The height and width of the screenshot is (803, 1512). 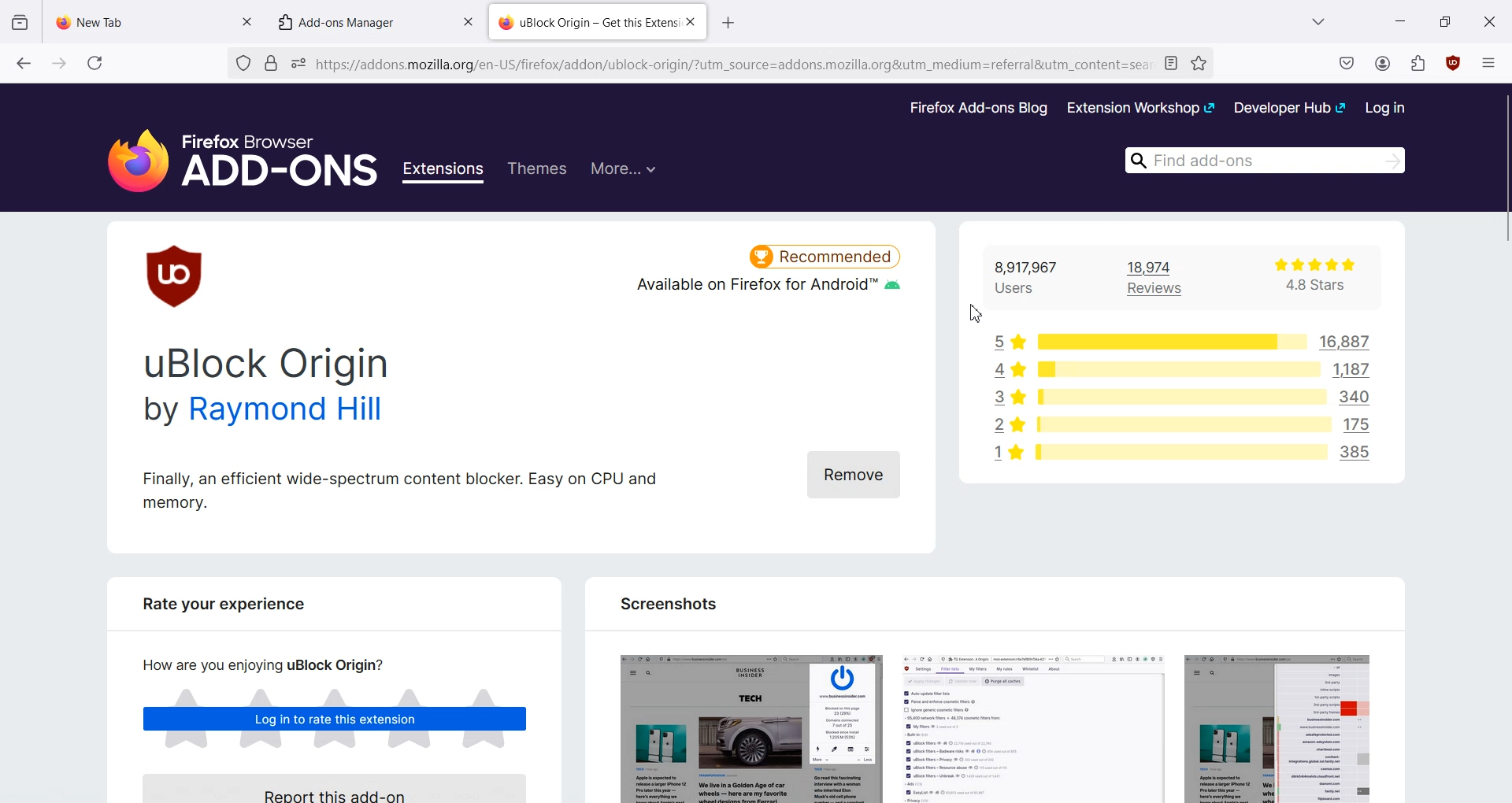 What do you see at coordinates (834, 473) in the screenshot?
I see `Add to Firefox` at bounding box center [834, 473].